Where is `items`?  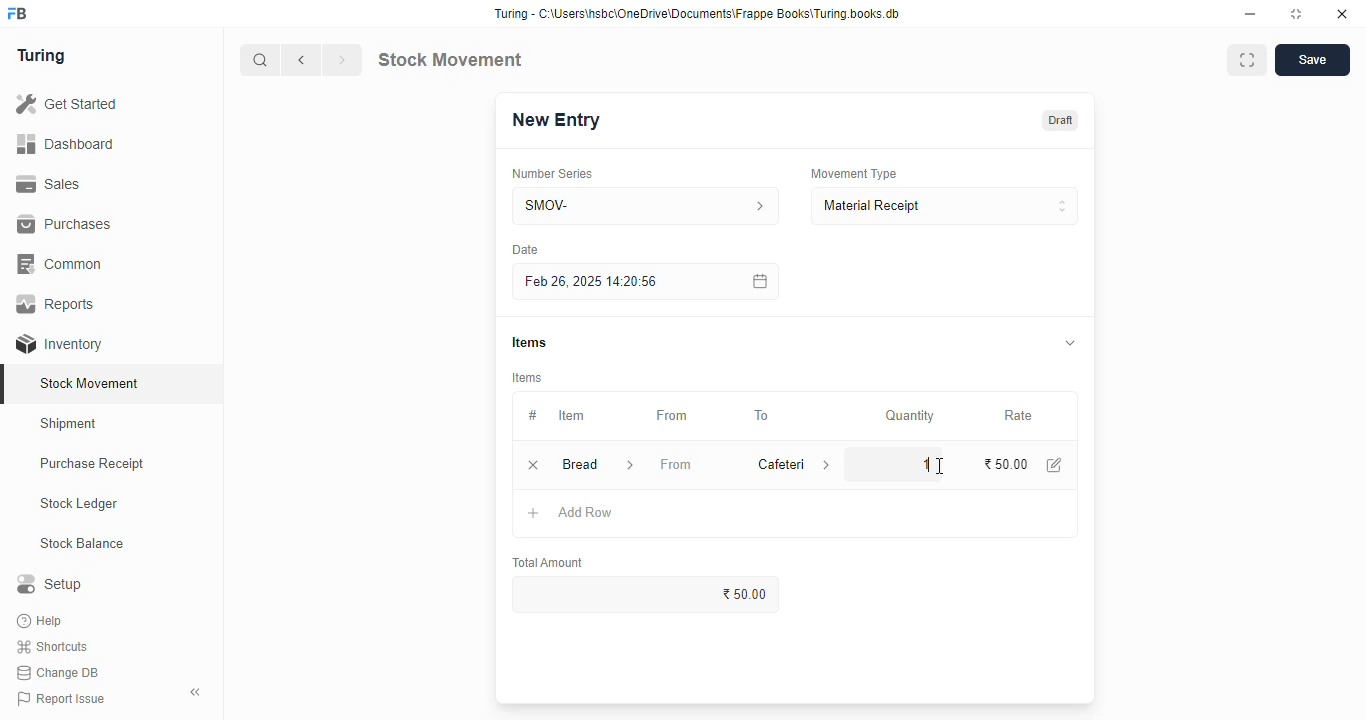 items is located at coordinates (528, 378).